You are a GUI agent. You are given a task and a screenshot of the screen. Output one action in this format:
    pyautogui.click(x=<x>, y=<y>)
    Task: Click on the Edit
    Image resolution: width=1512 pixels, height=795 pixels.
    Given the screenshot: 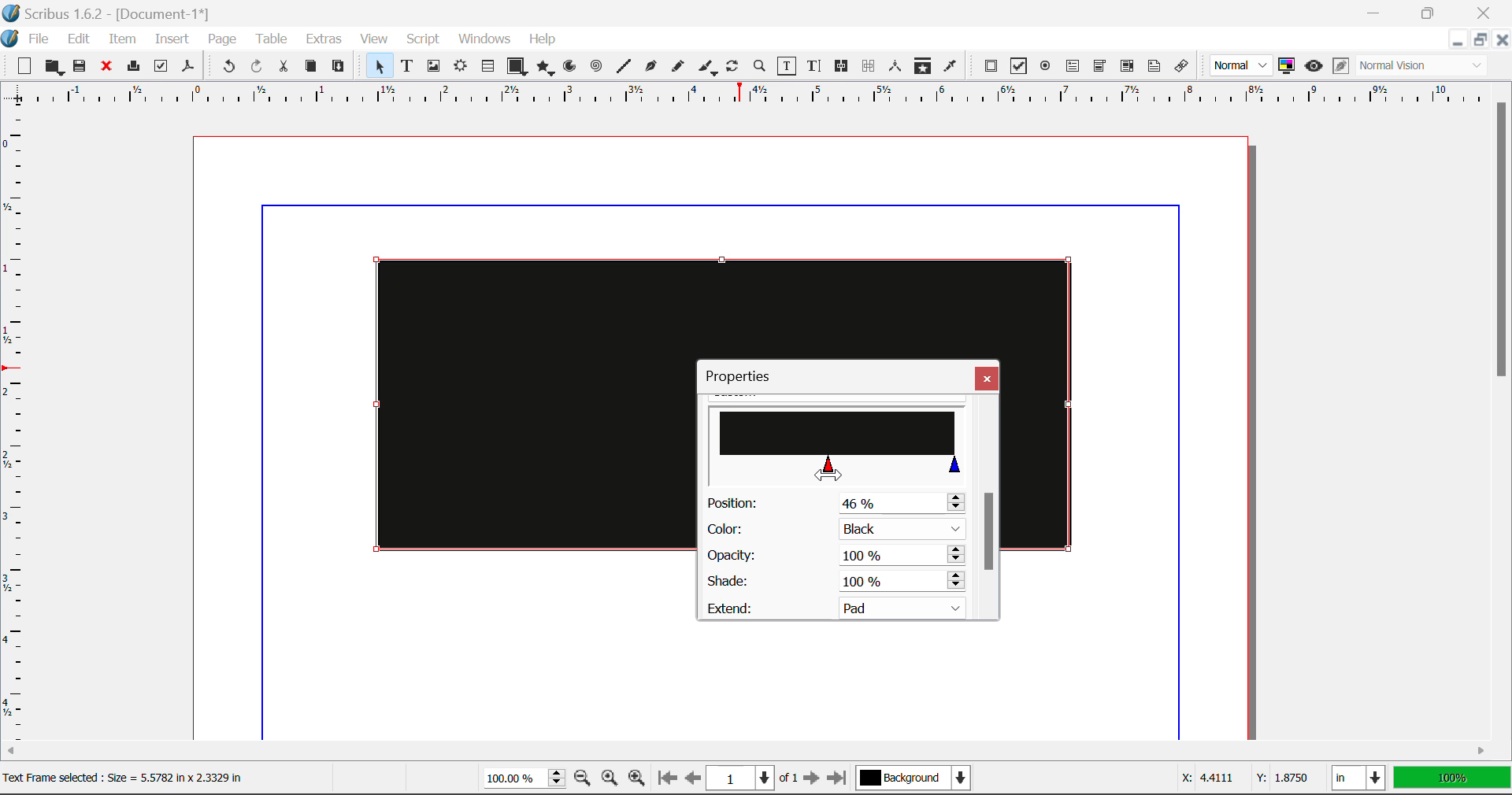 What is the action you would take?
    pyautogui.click(x=79, y=39)
    